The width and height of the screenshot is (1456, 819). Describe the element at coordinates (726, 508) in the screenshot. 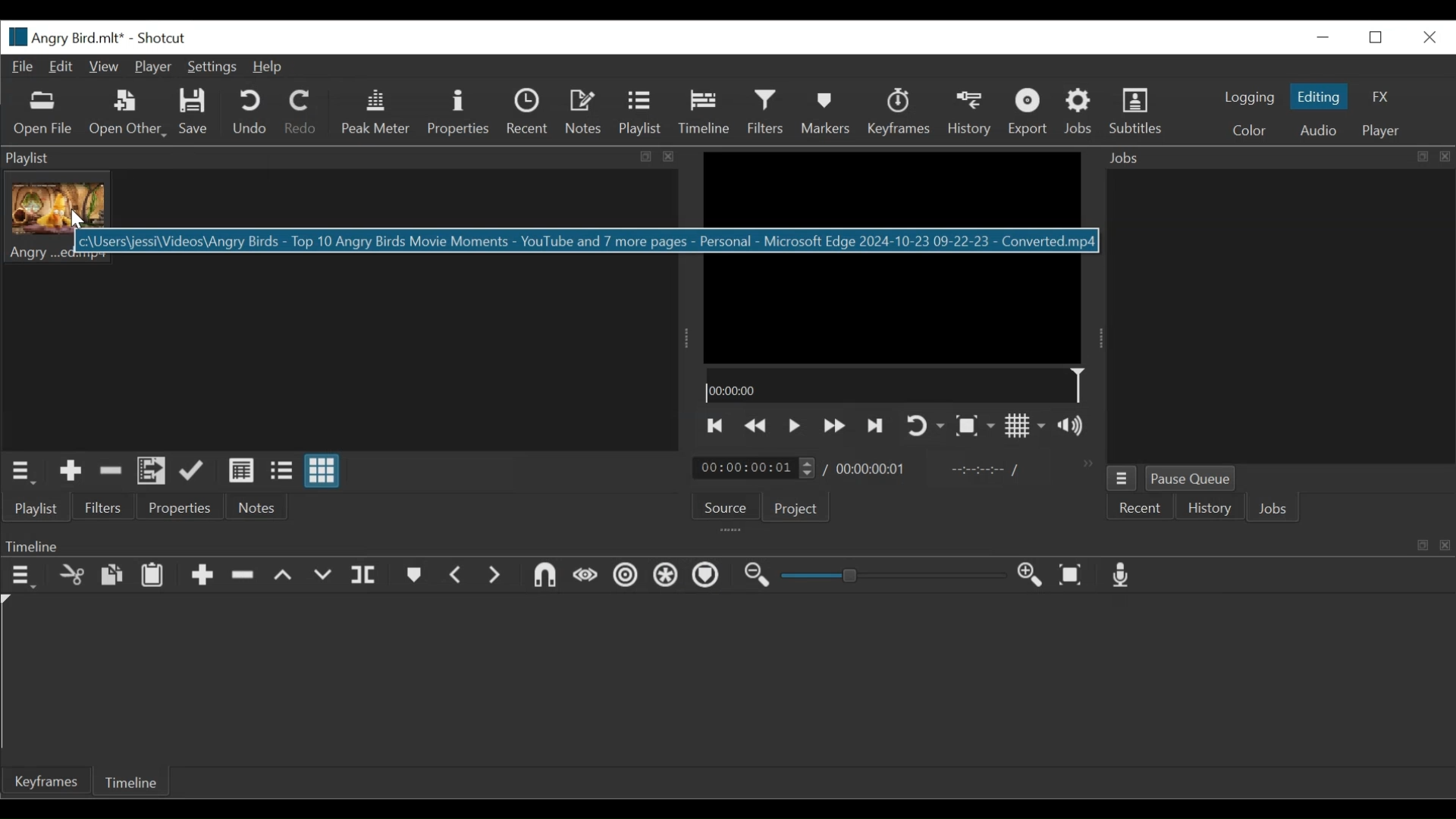

I see `Source` at that location.